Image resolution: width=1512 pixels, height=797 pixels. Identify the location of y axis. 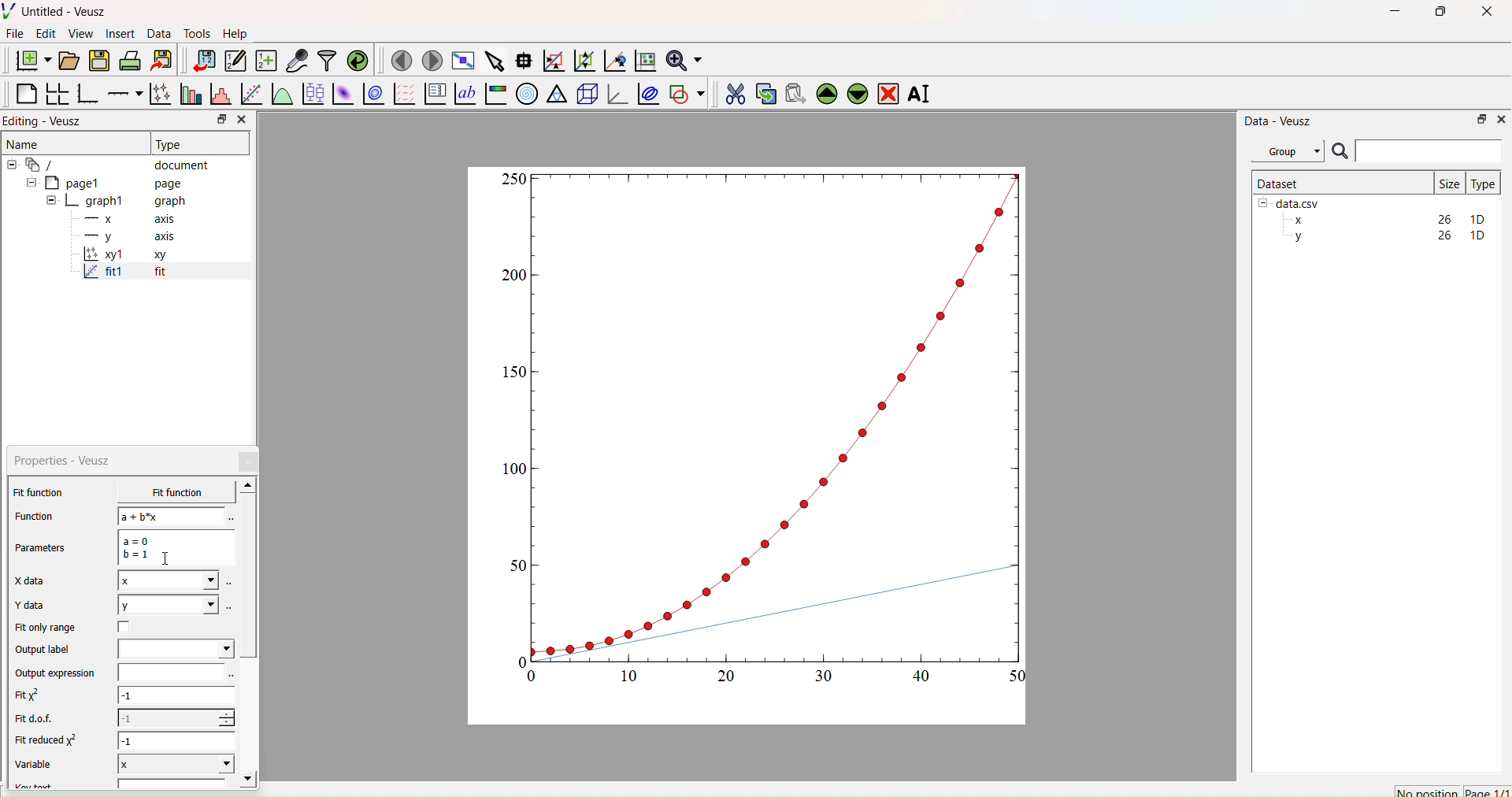
(120, 236).